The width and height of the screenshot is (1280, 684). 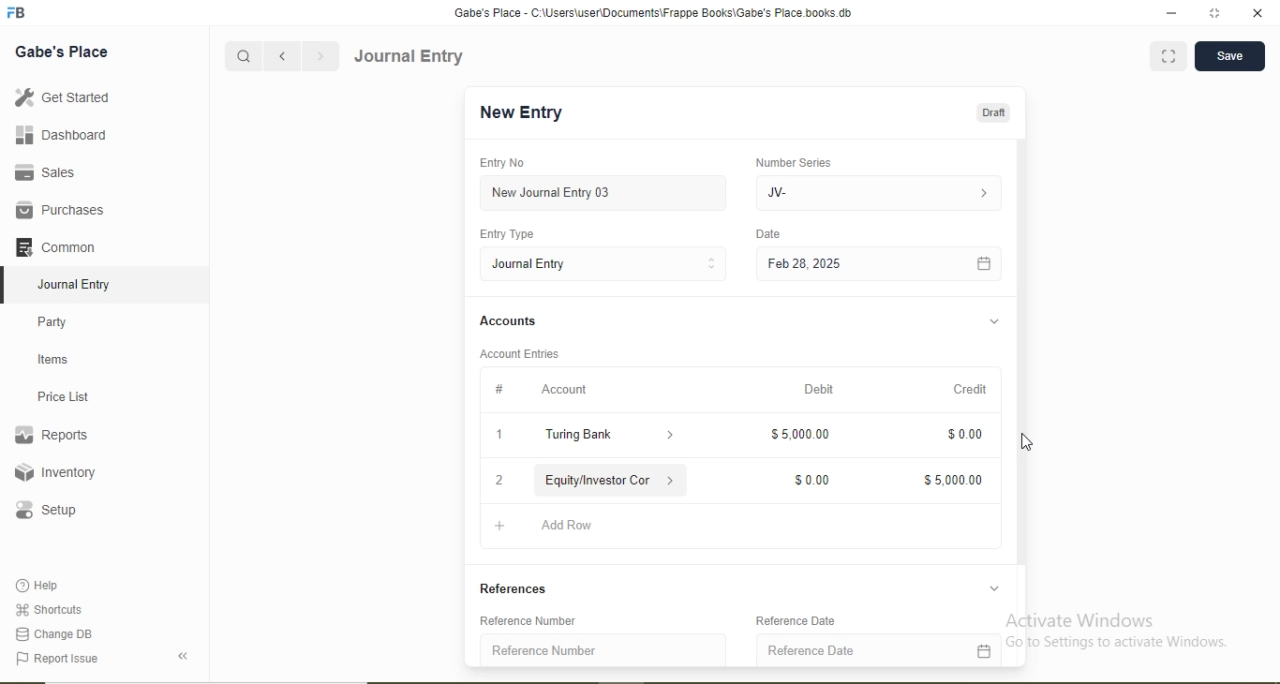 What do you see at coordinates (39, 585) in the screenshot?
I see `Help` at bounding box center [39, 585].